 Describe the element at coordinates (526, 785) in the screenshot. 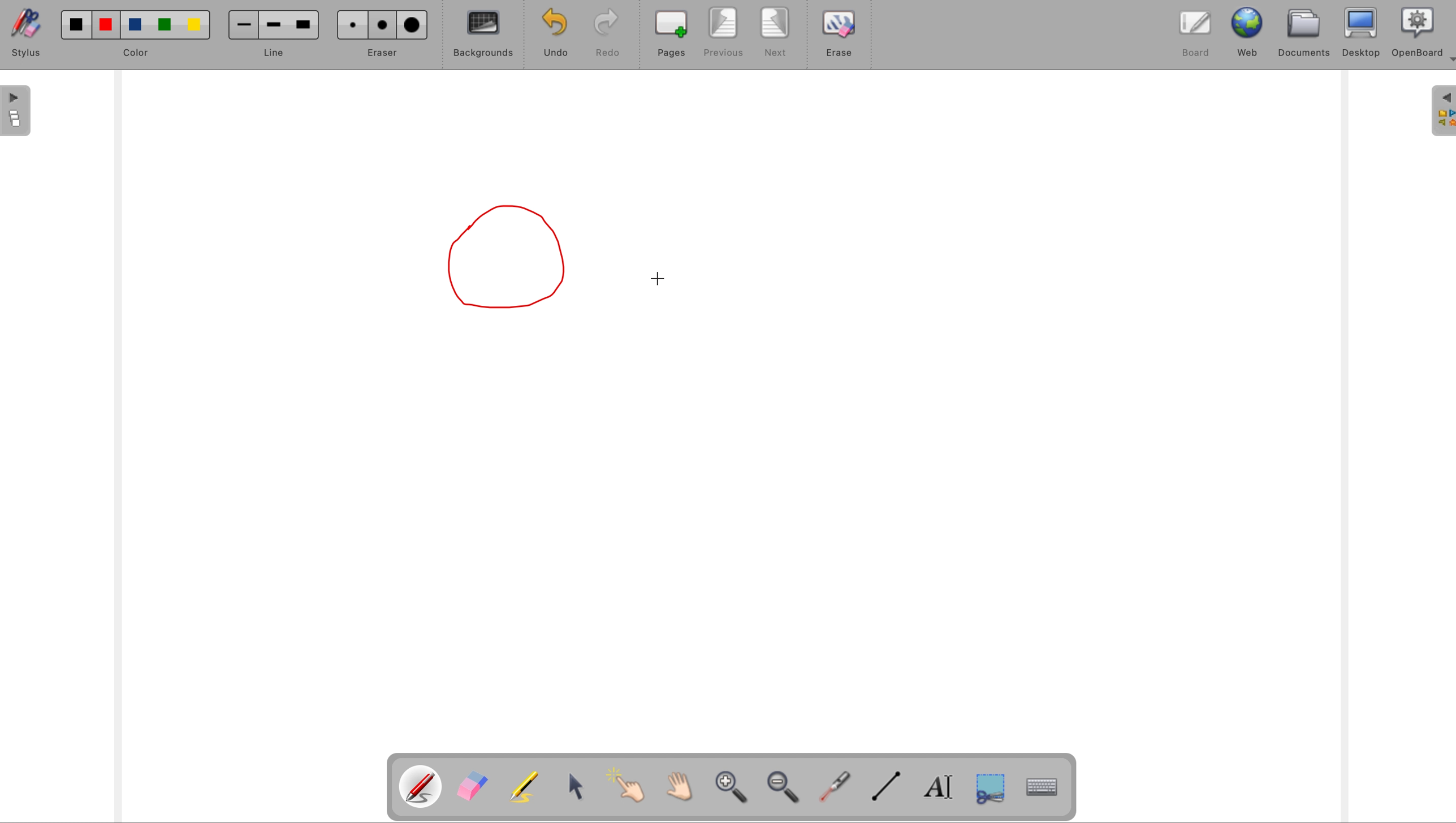

I see `highlight` at that location.